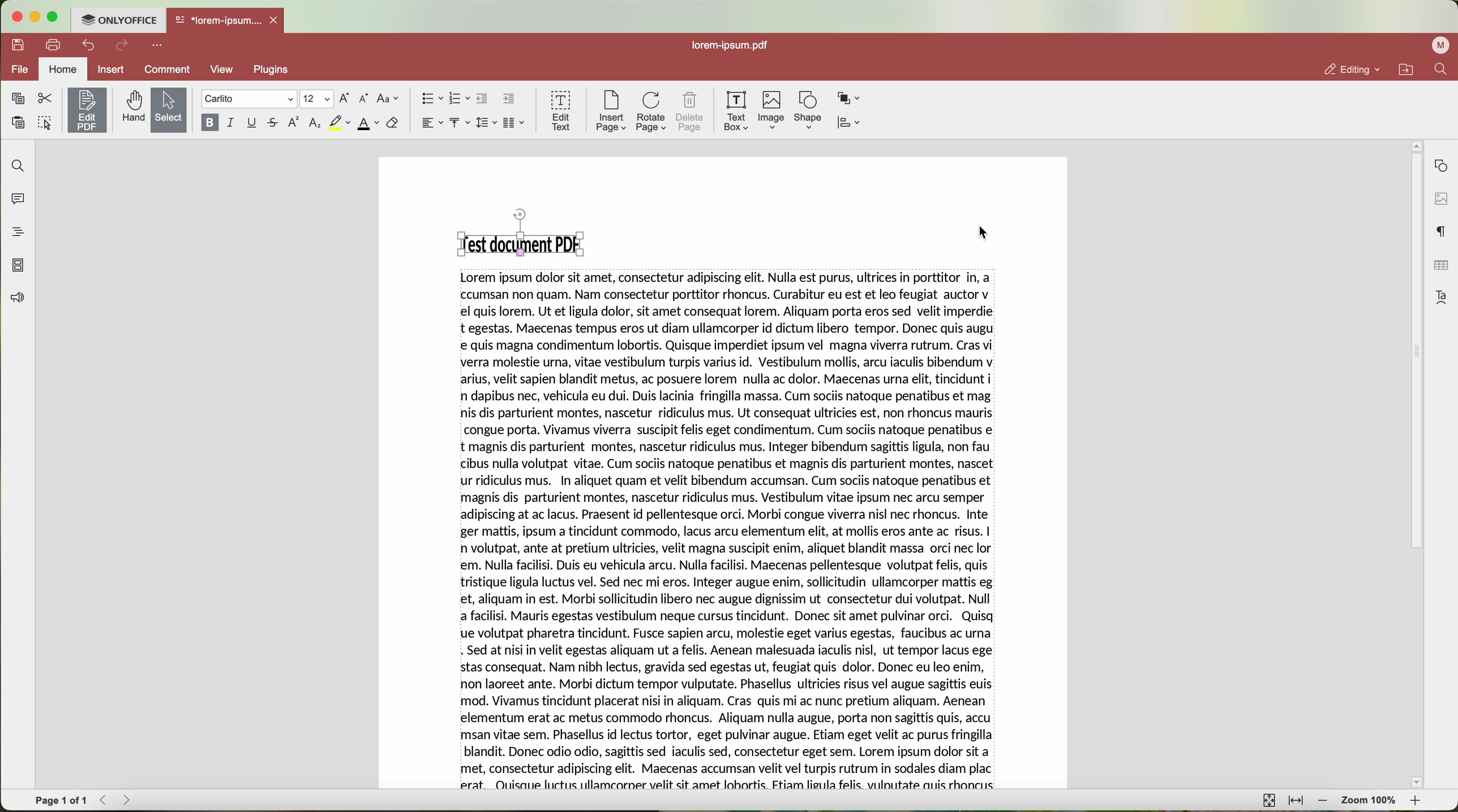 The image size is (1458, 812). What do you see at coordinates (20, 200) in the screenshot?
I see `comments` at bounding box center [20, 200].